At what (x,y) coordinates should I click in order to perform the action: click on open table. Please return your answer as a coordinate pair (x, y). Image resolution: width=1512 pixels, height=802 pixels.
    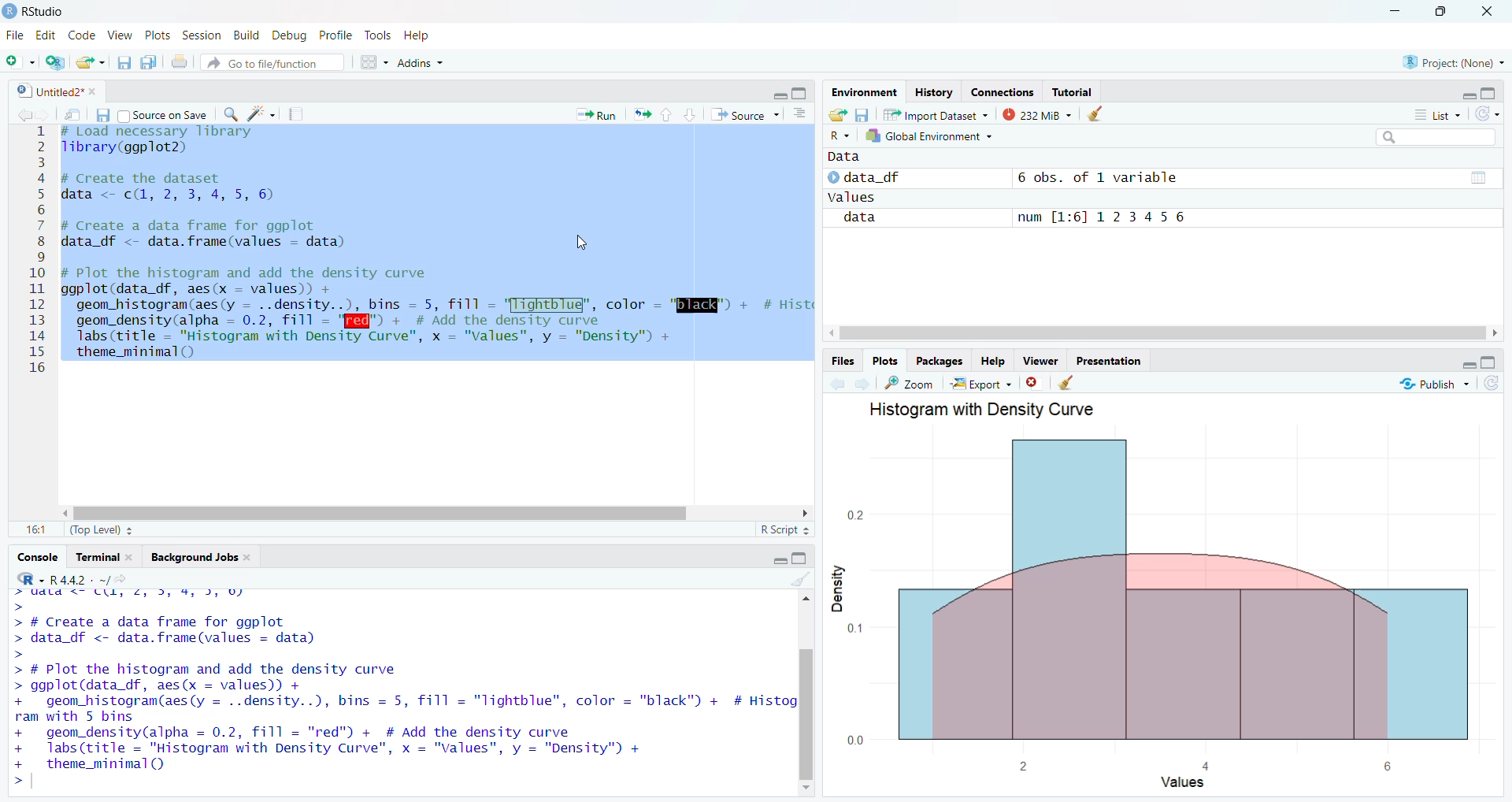
    Looking at the image, I should click on (1479, 178).